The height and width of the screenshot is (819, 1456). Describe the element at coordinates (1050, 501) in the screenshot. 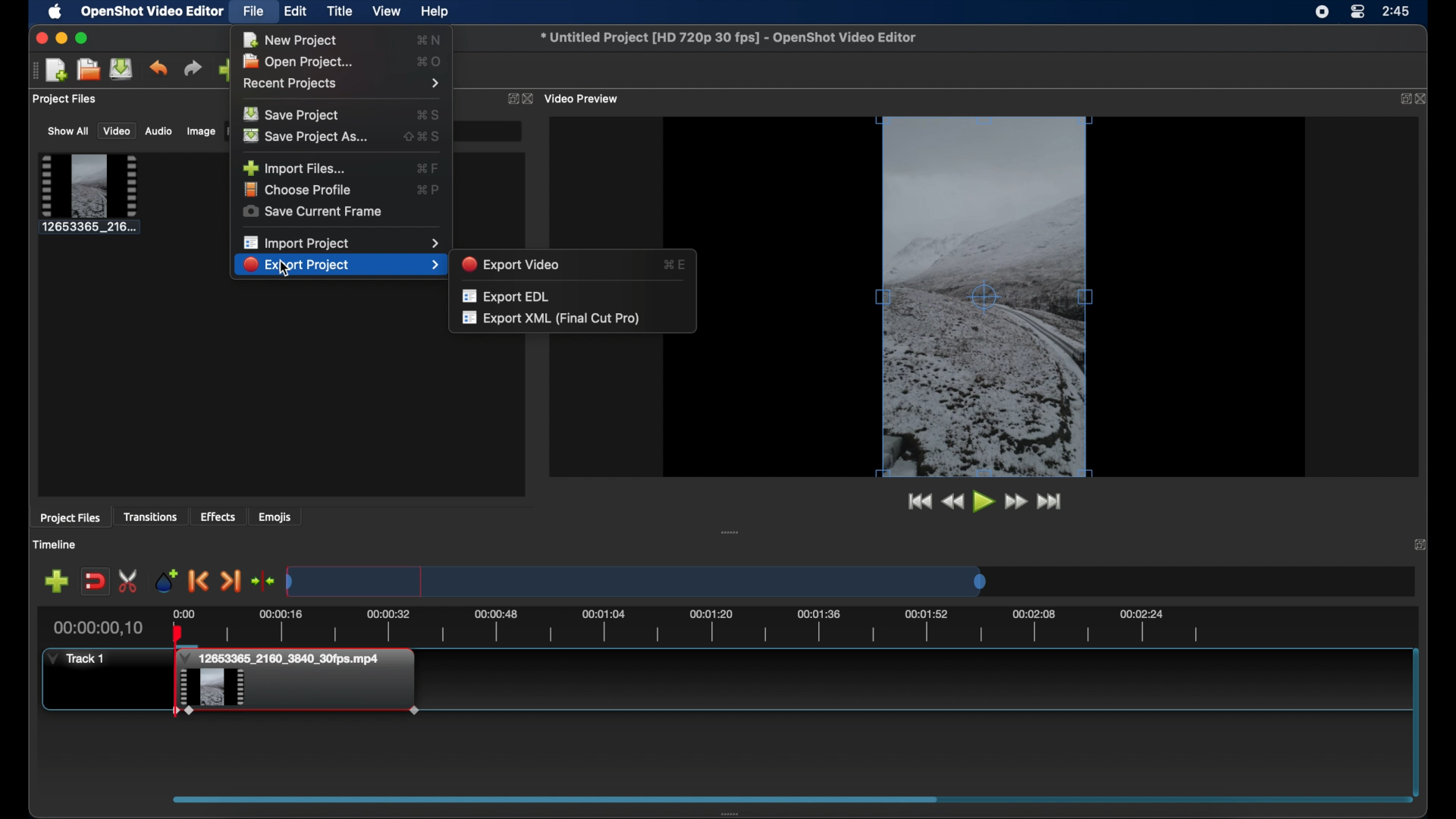

I see `jump to end` at that location.